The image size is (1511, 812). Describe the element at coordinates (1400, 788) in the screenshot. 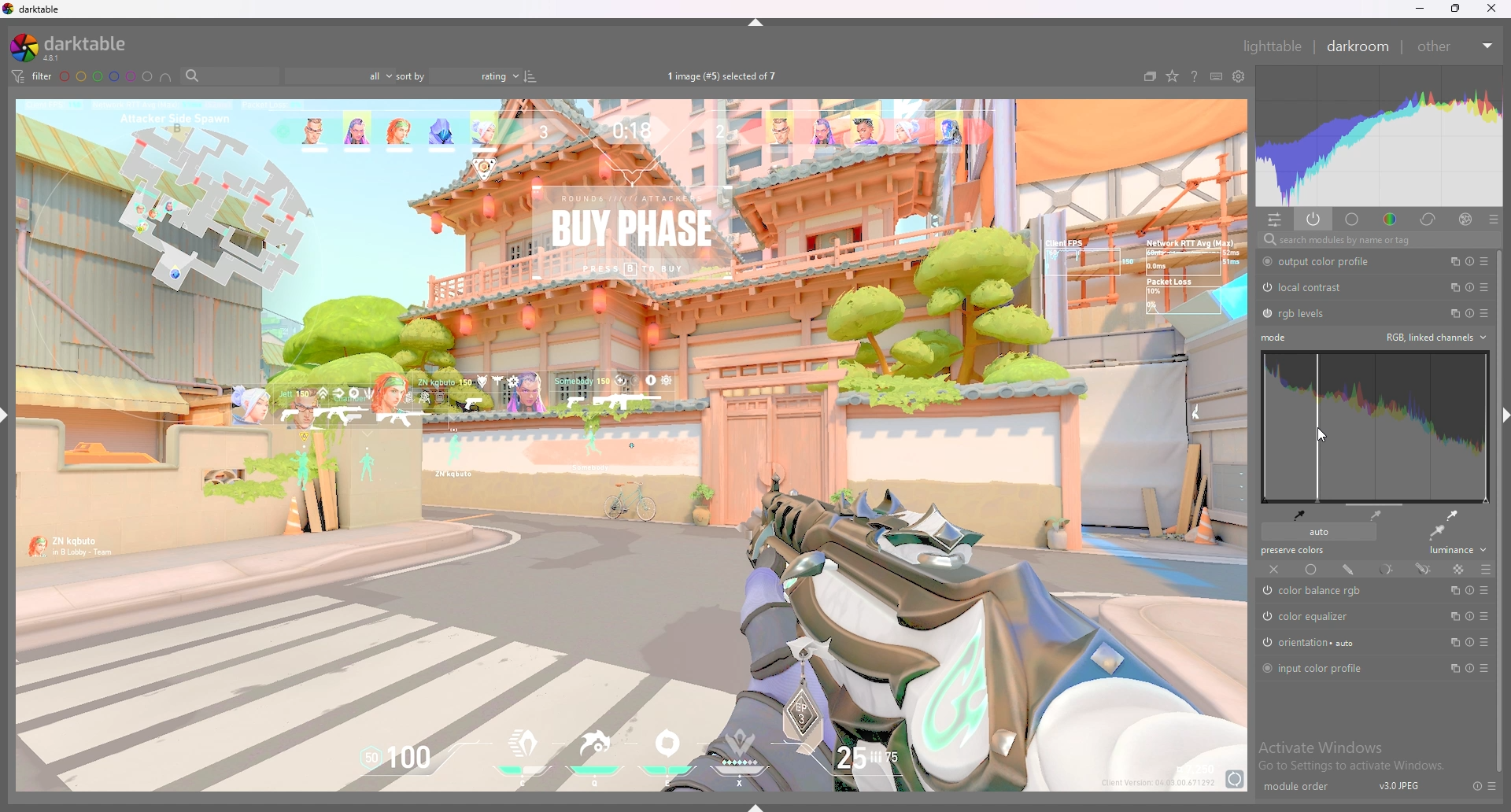

I see `version` at that location.